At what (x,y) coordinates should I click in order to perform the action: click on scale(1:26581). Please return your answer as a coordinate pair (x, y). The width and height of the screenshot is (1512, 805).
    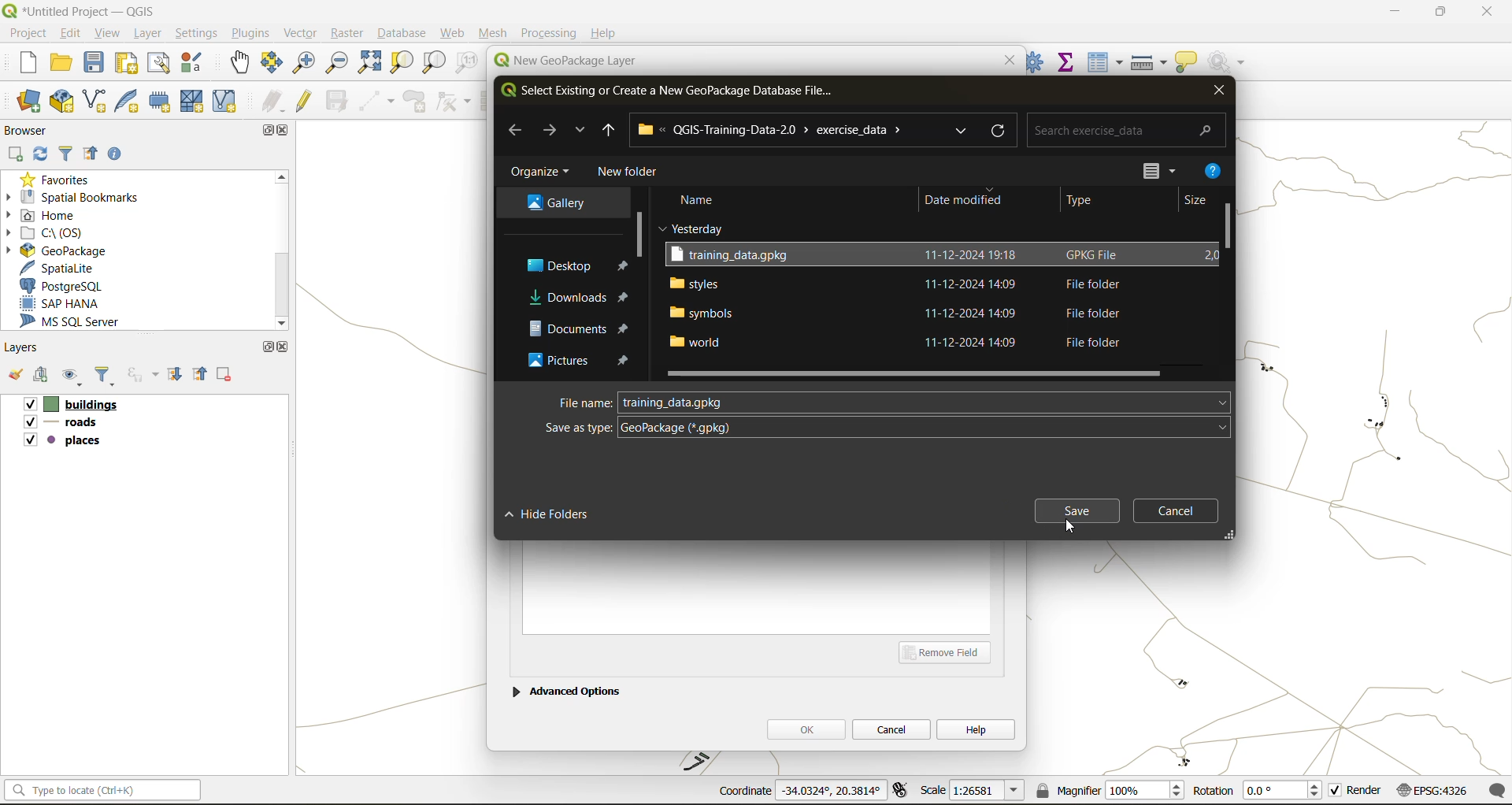
    Looking at the image, I should click on (973, 790).